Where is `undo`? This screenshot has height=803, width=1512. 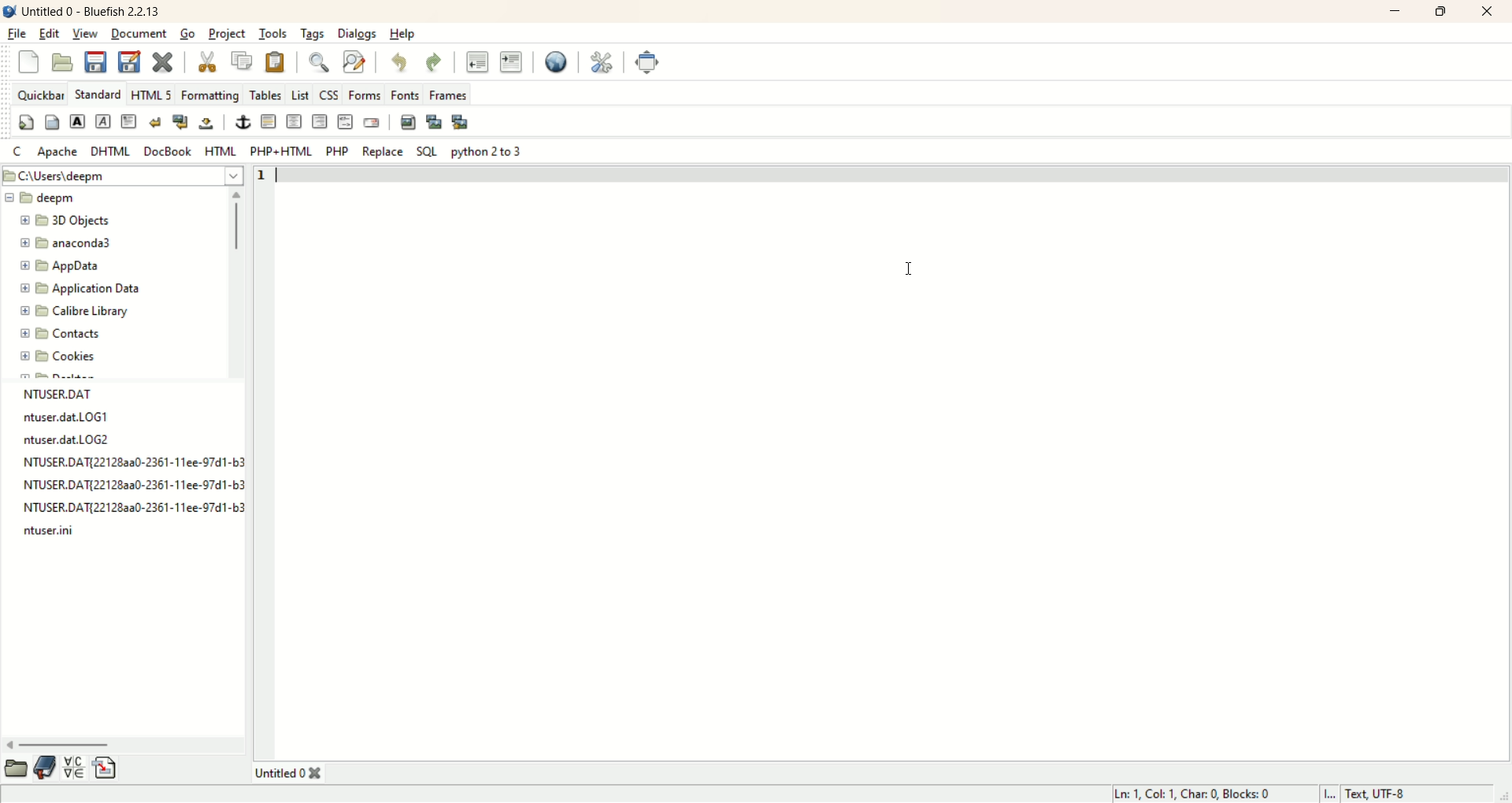
undo is located at coordinates (395, 61).